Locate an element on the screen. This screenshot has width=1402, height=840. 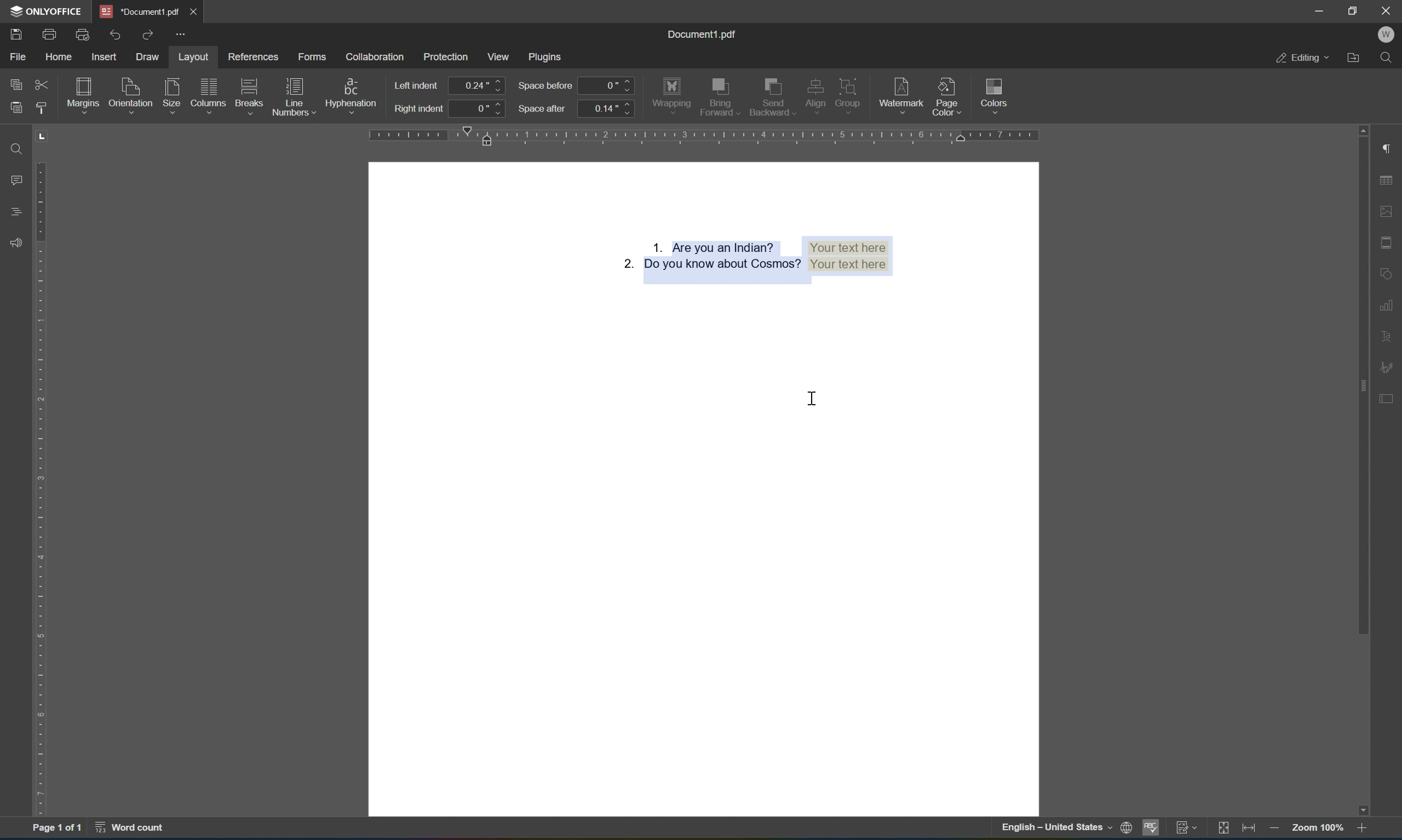
track changes is located at coordinates (1187, 830).